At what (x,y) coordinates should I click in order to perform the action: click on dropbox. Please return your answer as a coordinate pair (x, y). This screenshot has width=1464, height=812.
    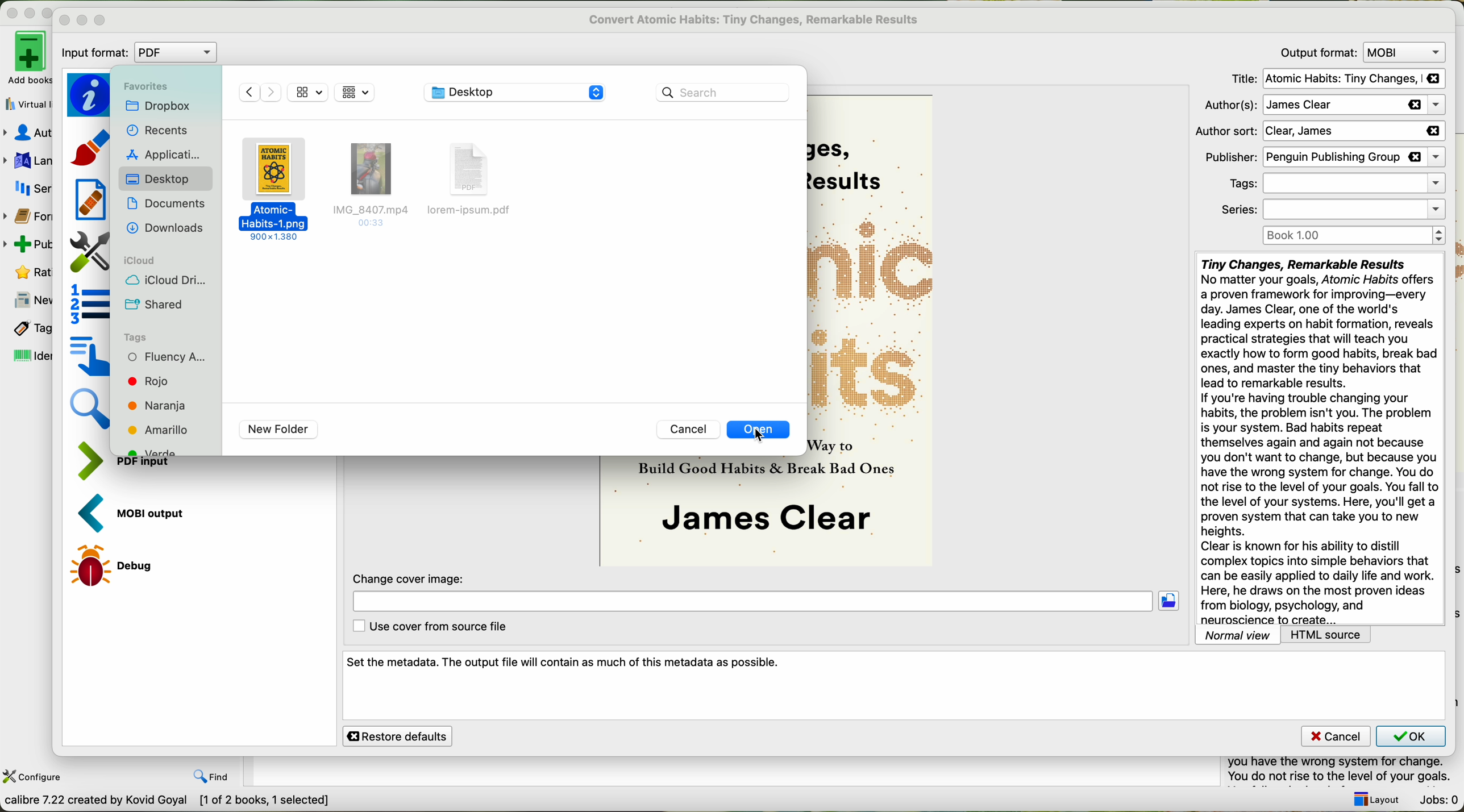
    Looking at the image, I should click on (157, 106).